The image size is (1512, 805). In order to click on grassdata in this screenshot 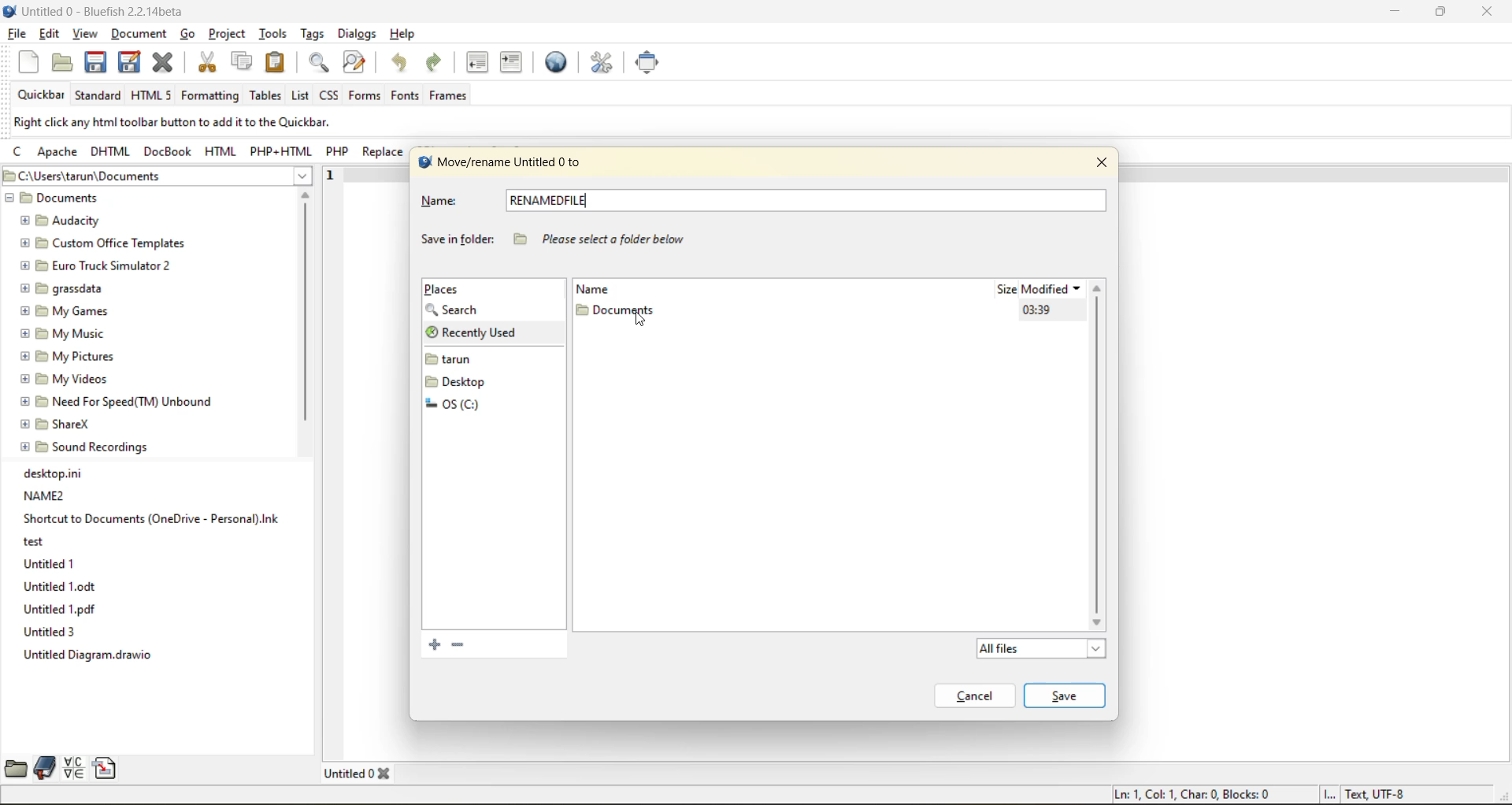, I will do `click(68, 287)`.